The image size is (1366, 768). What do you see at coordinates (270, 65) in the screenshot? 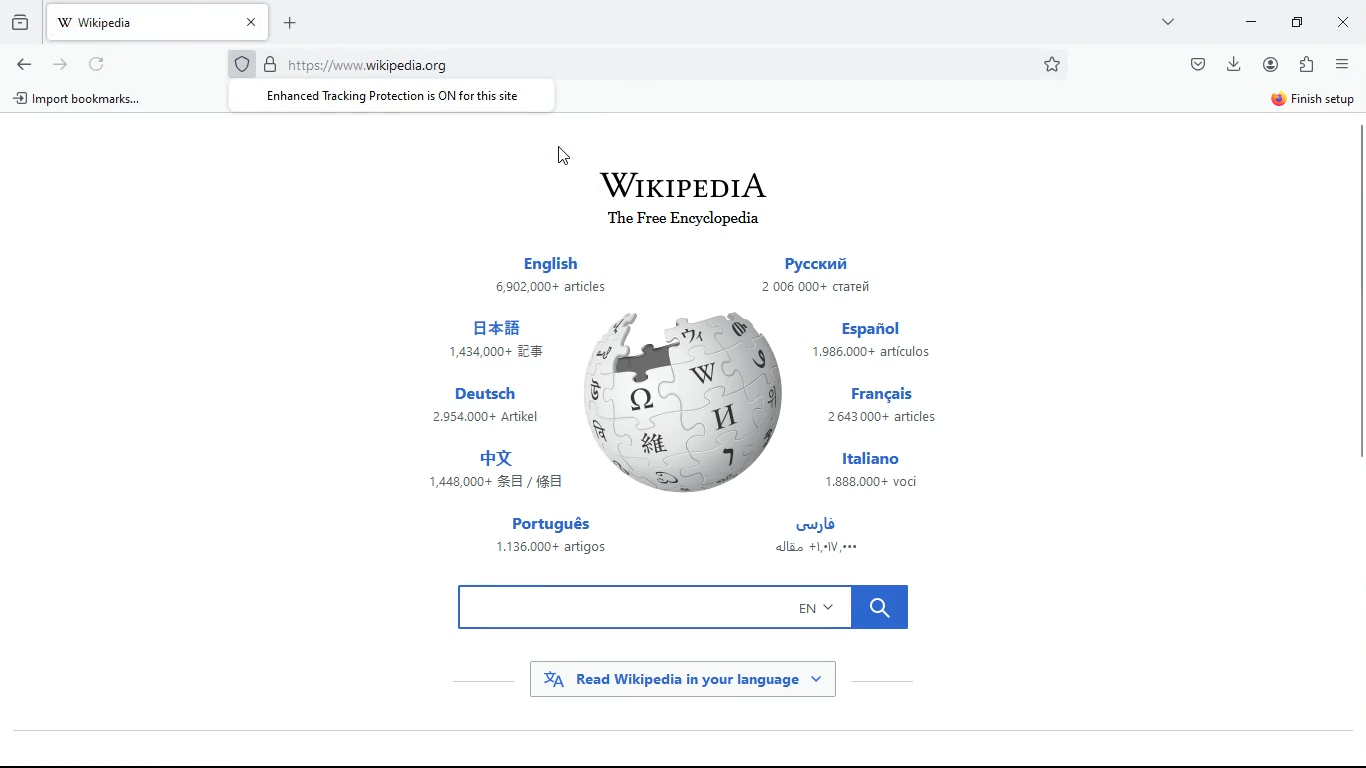
I see `locked` at bounding box center [270, 65].